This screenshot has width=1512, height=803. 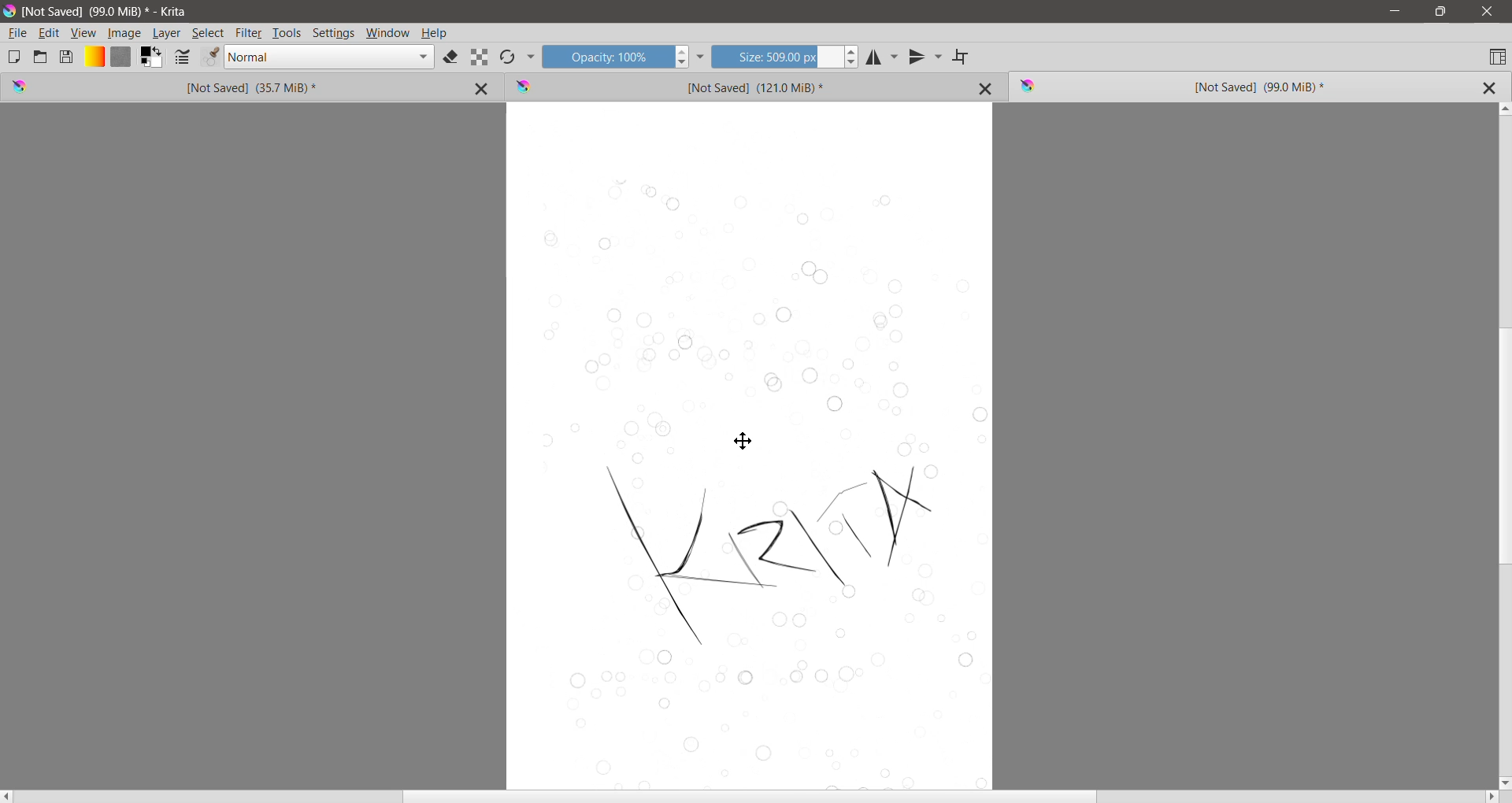 What do you see at coordinates (776, 56) in the screenshot?
I see `Size input ` at bounding box center [776, 56].